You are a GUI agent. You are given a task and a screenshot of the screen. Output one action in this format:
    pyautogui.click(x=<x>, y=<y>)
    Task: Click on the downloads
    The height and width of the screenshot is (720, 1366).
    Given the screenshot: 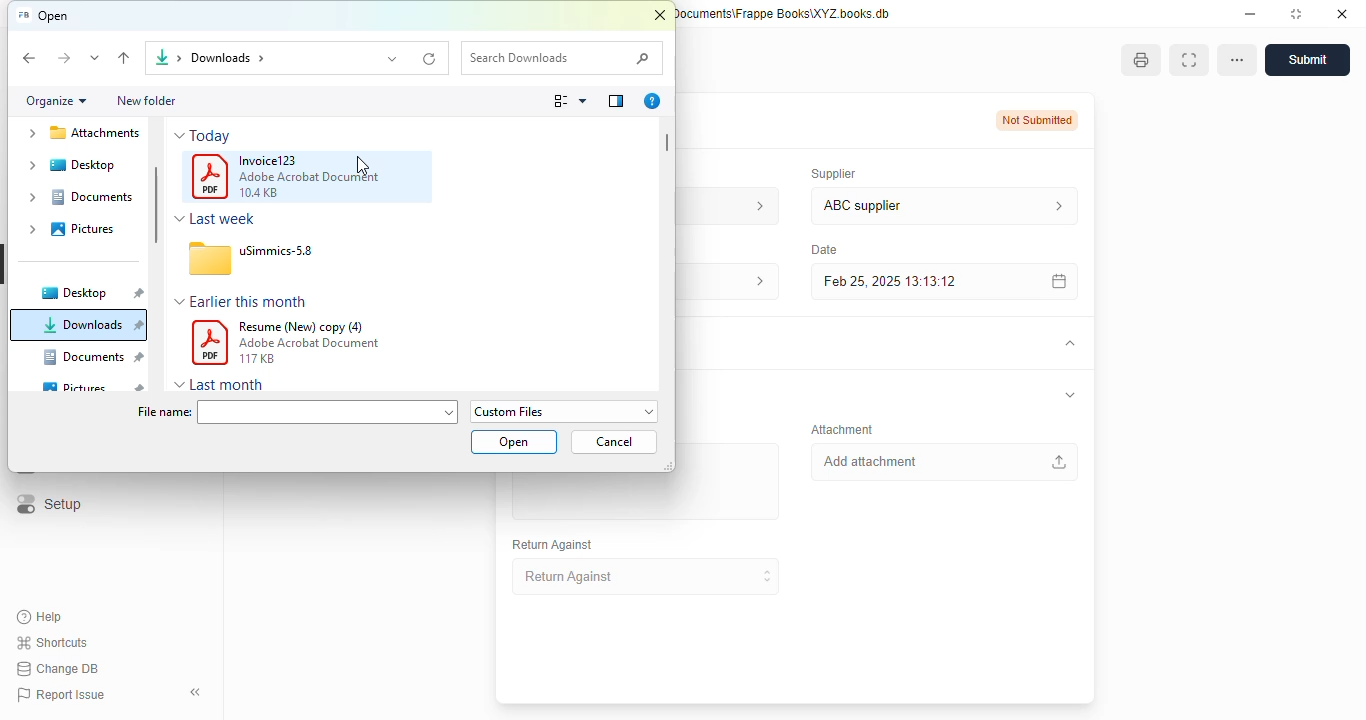 What is the action you would take?
    pyautogui.click(x=90, y=325)
    